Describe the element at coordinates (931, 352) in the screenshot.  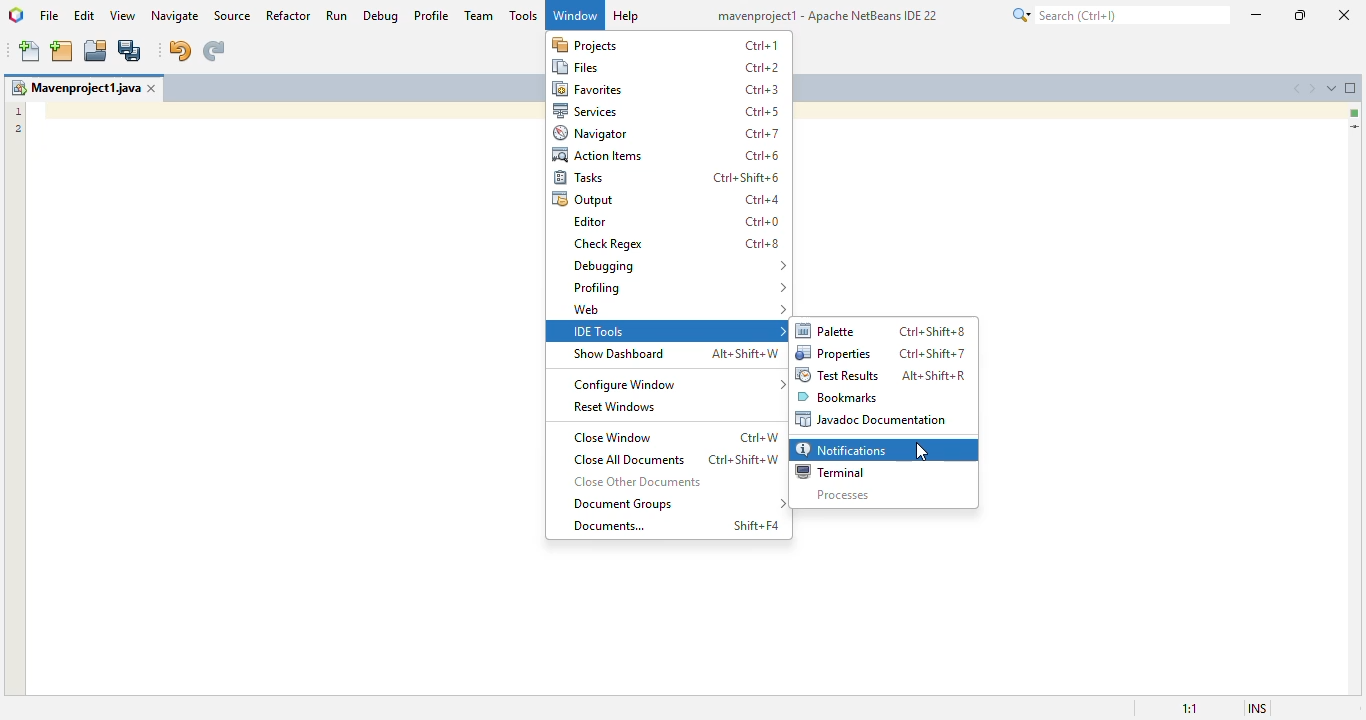
I see `shortcut for properties` at that location.